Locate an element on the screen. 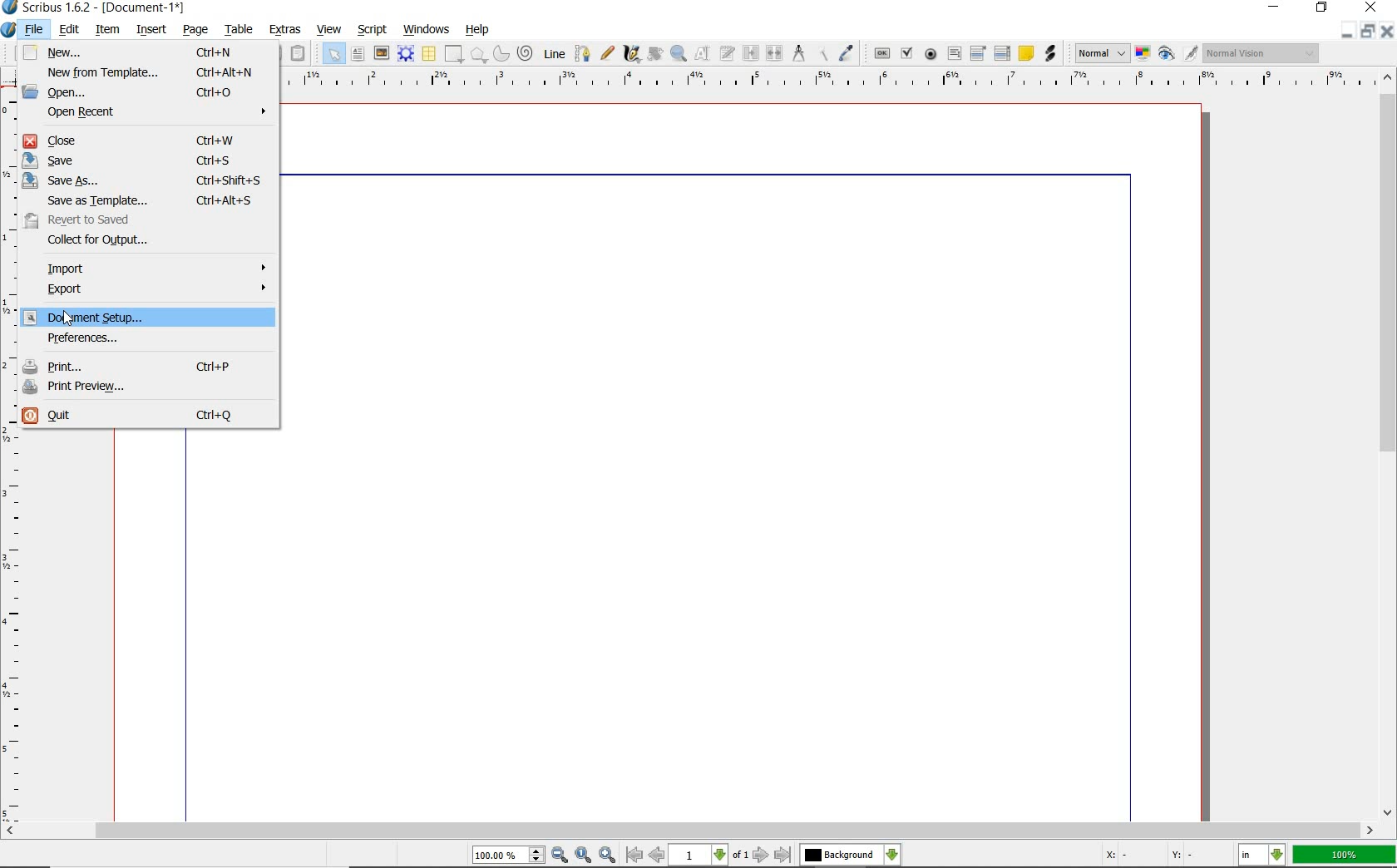 Image resolution: width=1397 pixels, height=868 pixels. SAVE AS is located at coordinates (145, 180).